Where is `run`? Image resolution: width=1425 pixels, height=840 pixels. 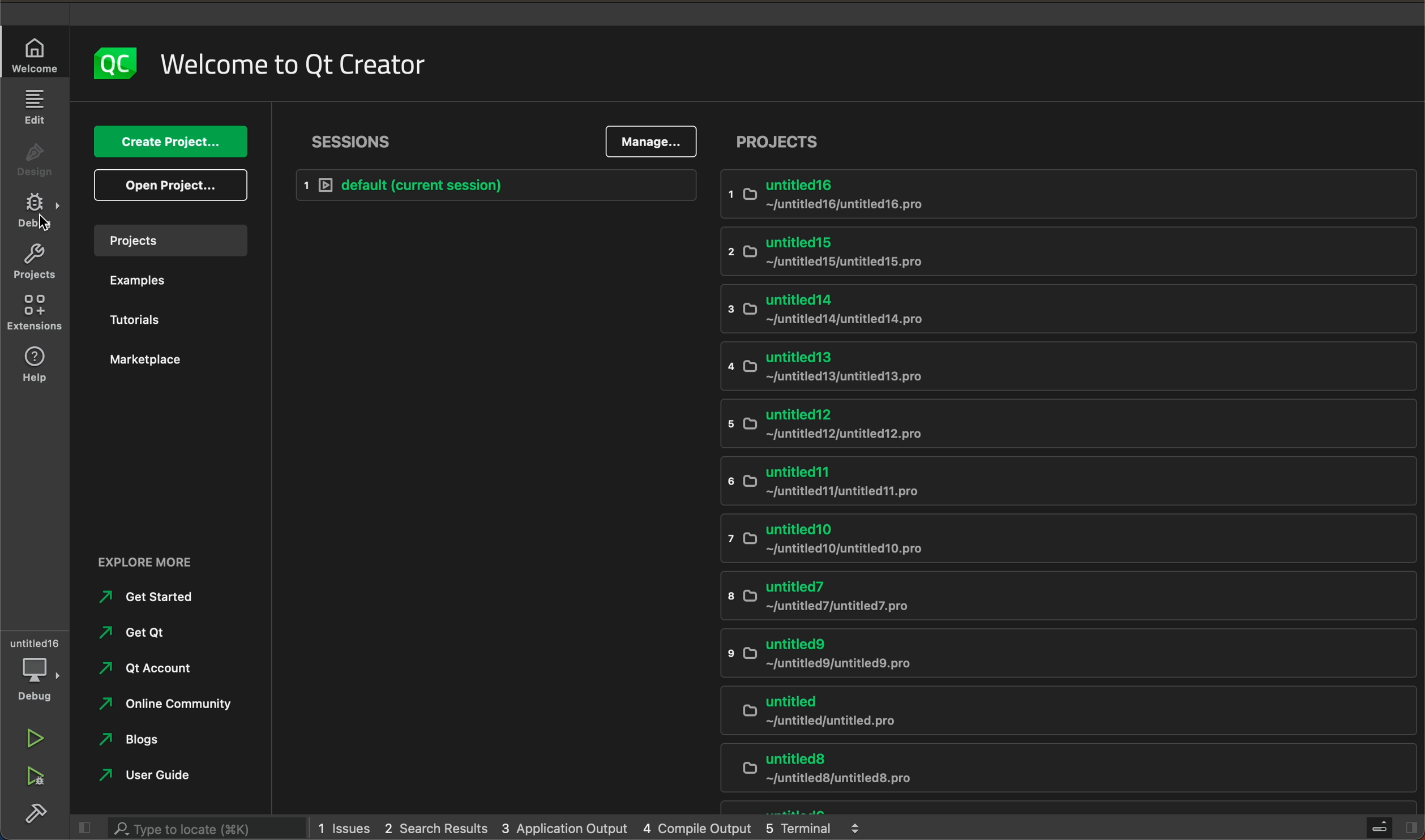
run is located at coordinates (36, 737).